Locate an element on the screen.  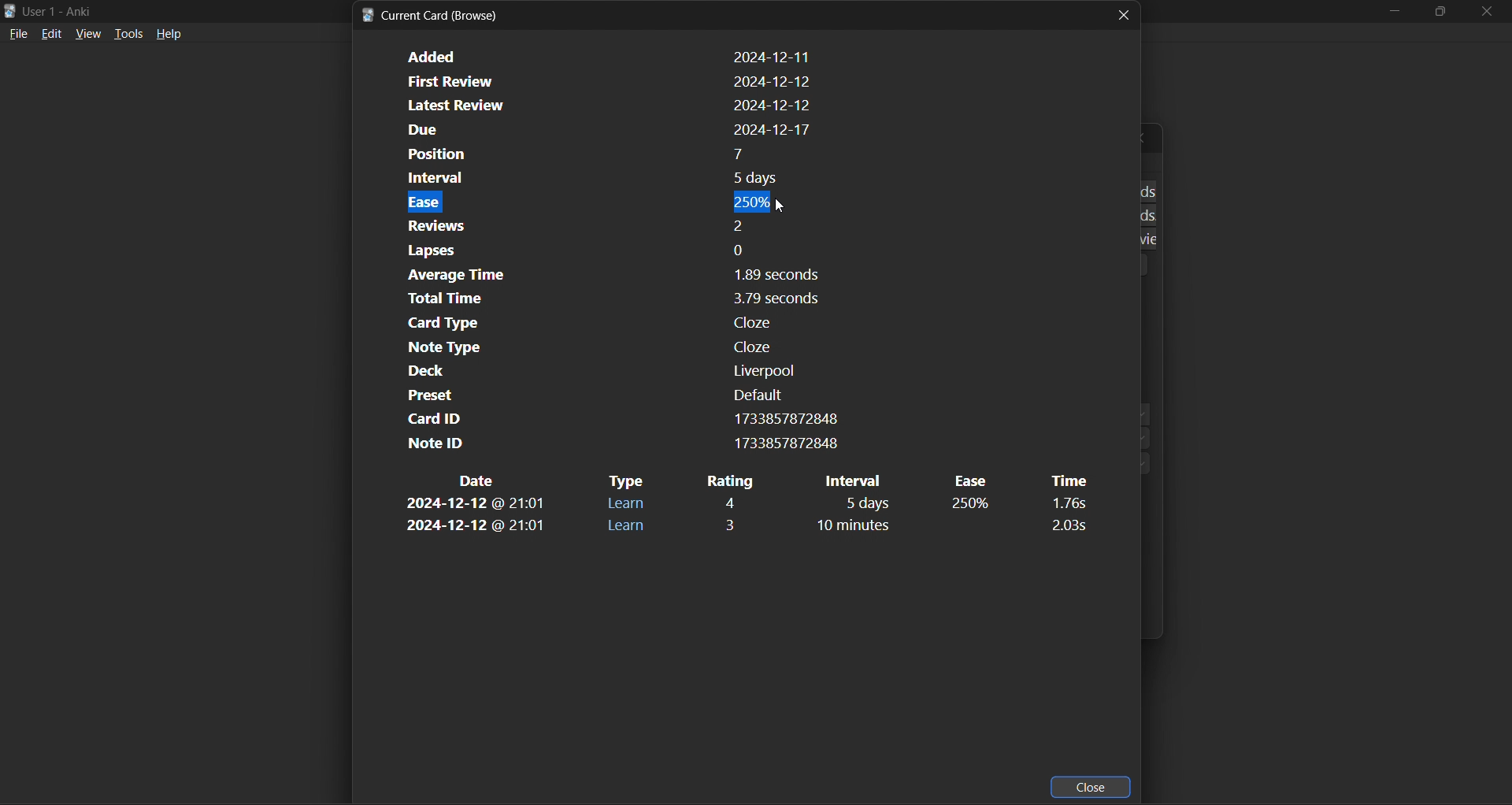
interval is located at coordinates (860, 480).